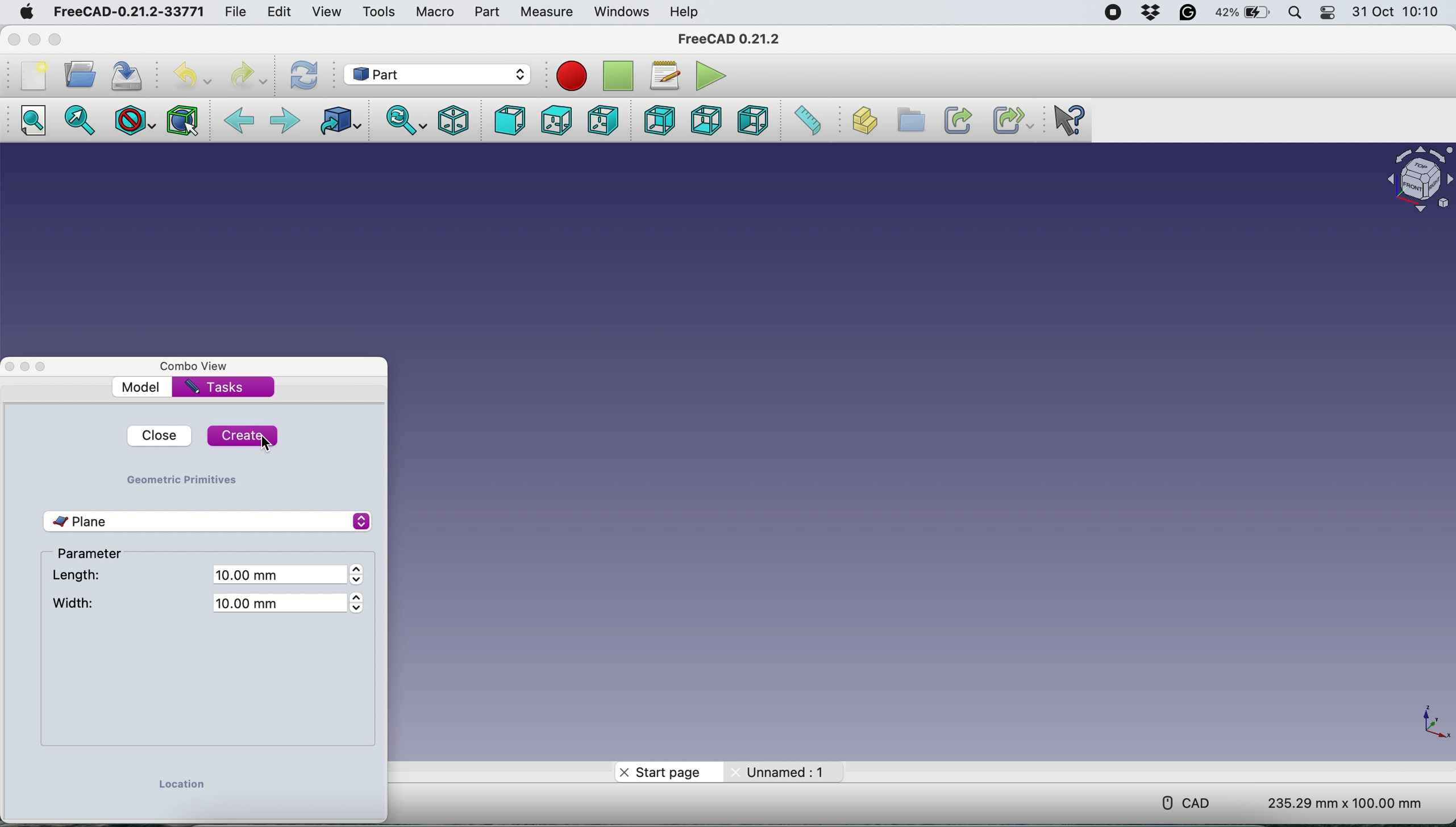  What do you see at coordinates (956, 119) in the screenshot?
I see `Make link` at bounding box center [956, 119].